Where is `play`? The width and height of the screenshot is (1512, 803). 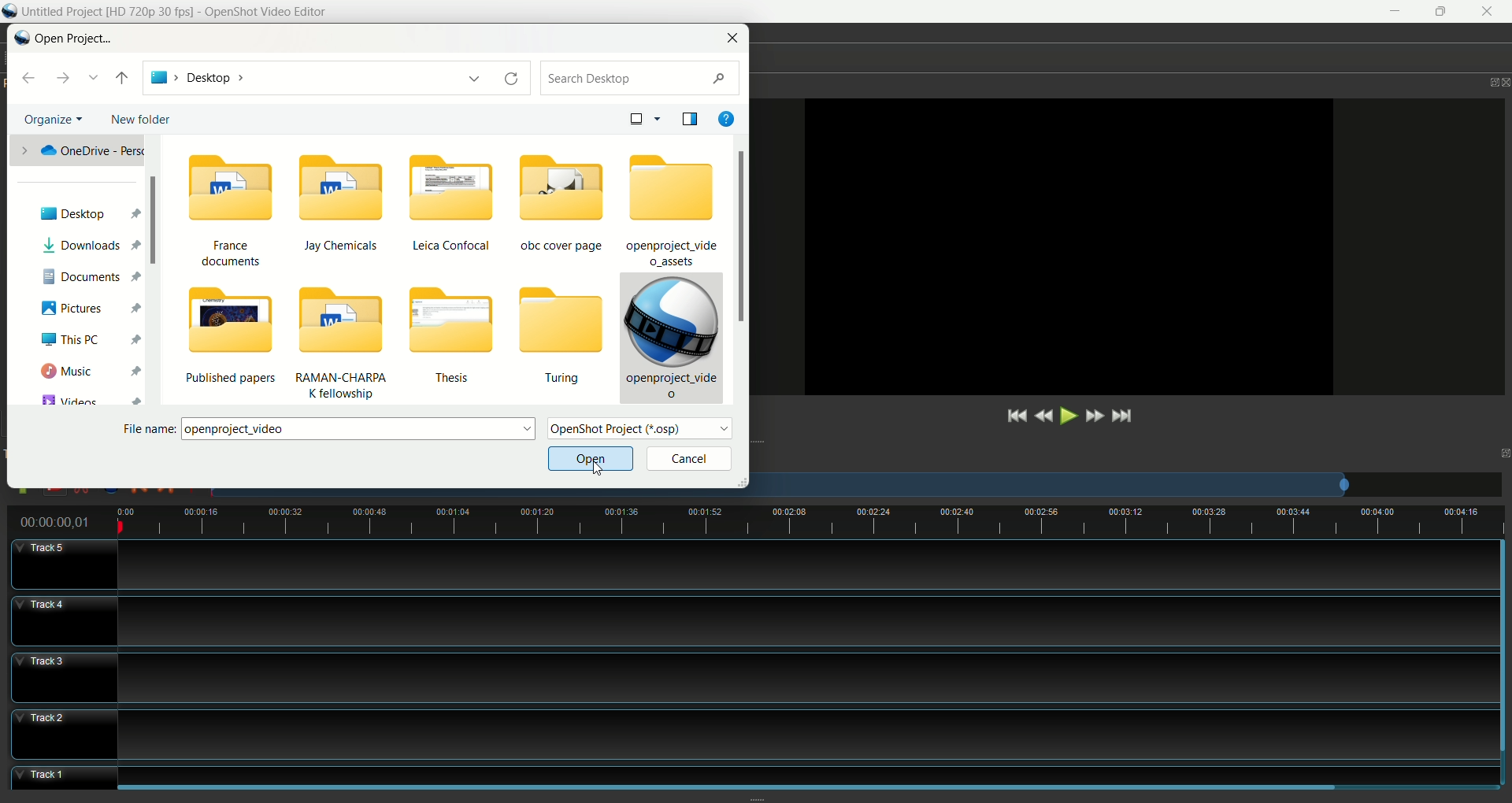 play is located at coordinates (1065, 417).